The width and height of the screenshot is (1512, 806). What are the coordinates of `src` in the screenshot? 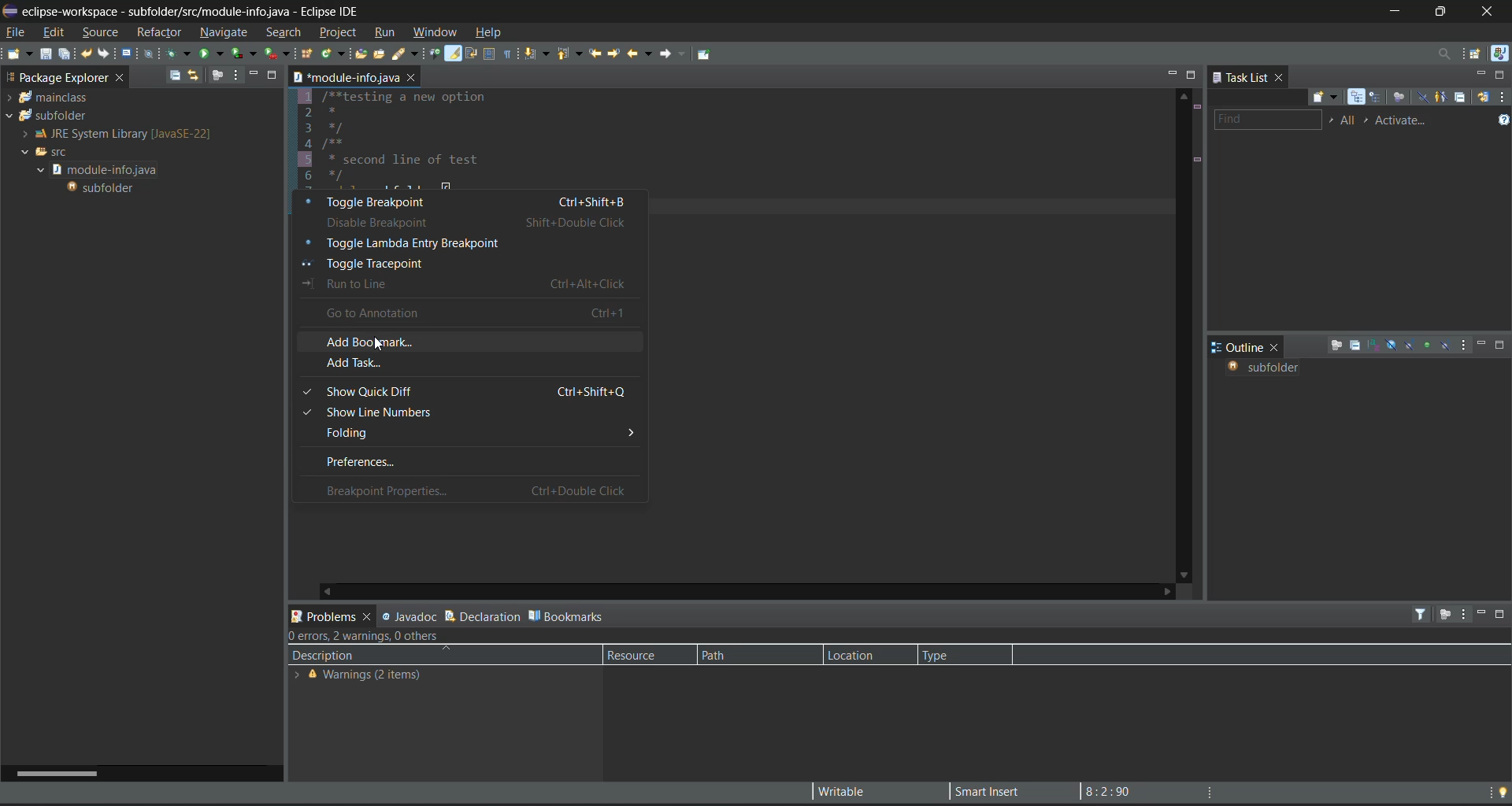 It's located at (48, 152).